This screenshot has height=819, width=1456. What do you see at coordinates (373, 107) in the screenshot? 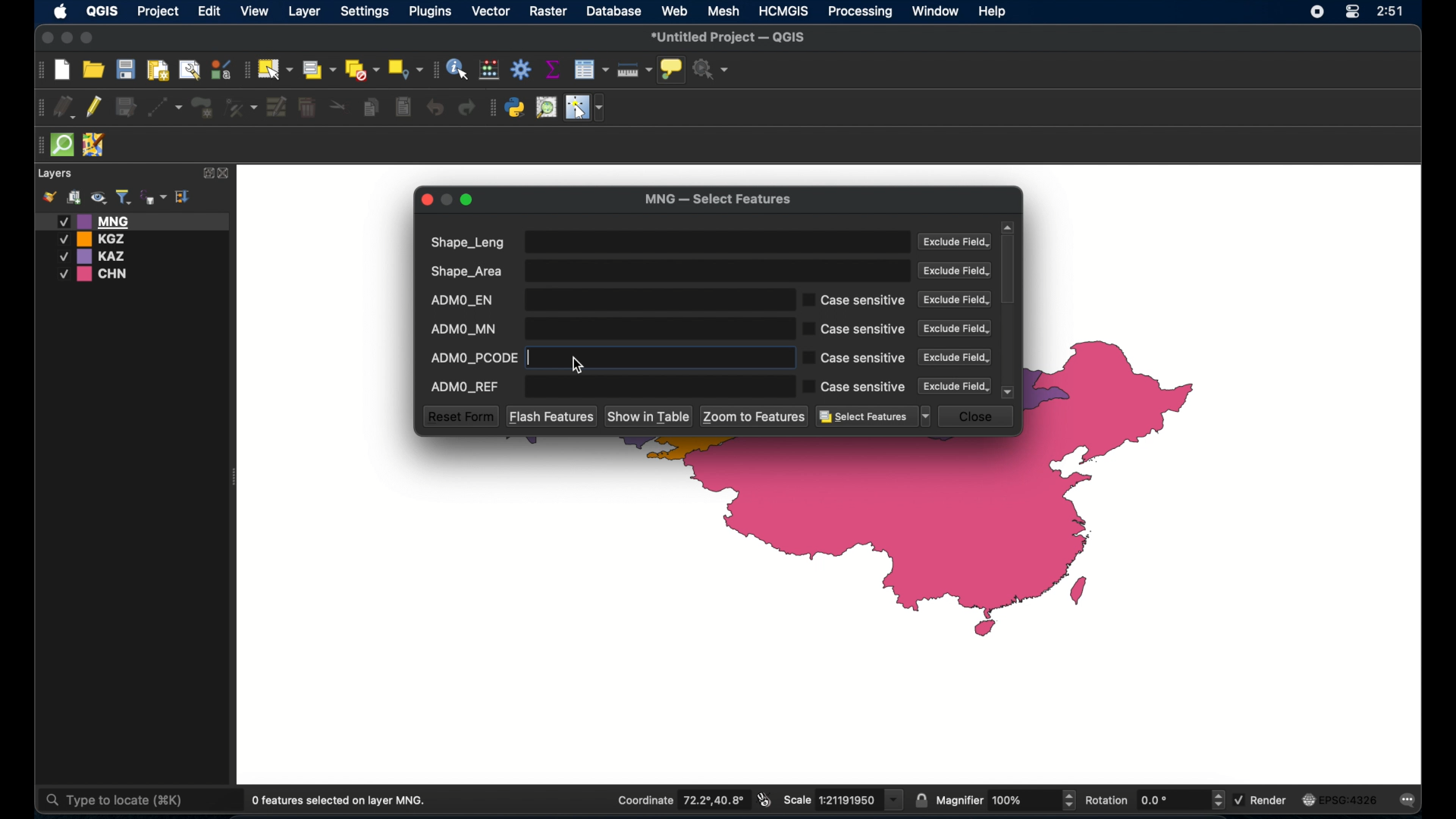
I see `copy` at bounding box center [373, 107].